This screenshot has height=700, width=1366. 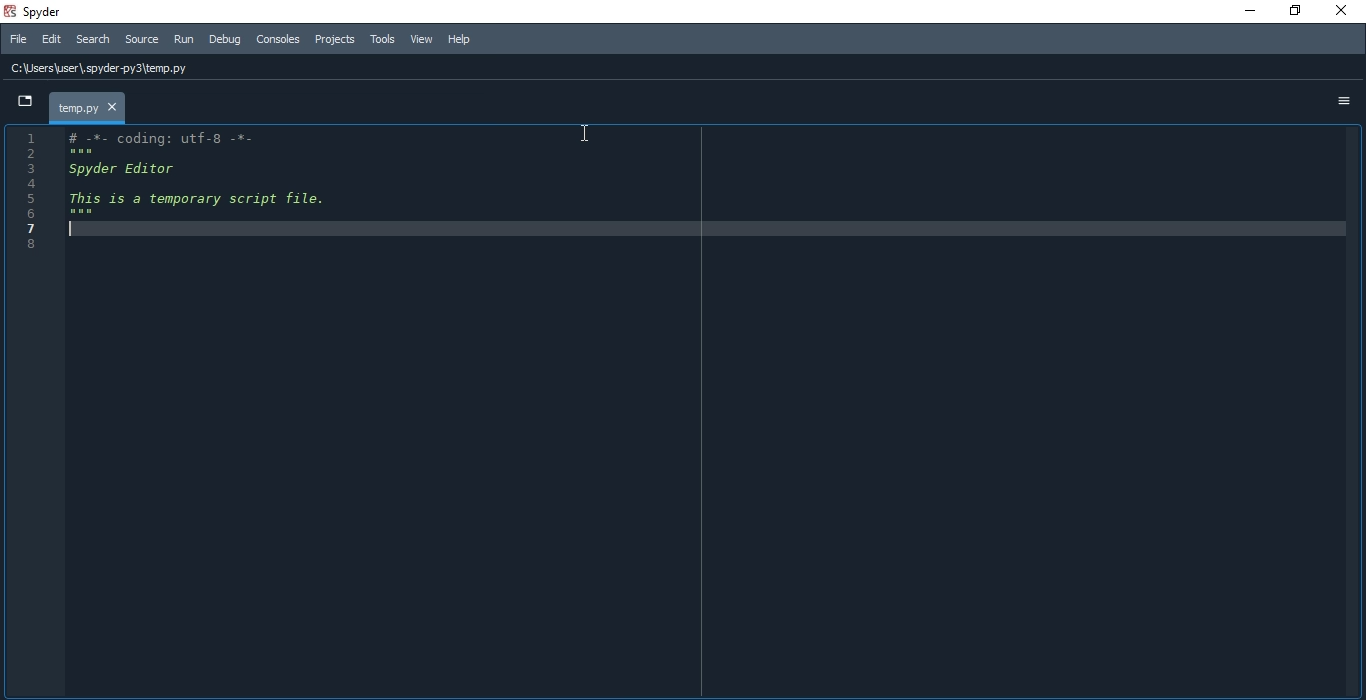 What do you see at coordinates (76, 152) in the screenshot?
I see `2 ***` at bounding box center [76, 152].